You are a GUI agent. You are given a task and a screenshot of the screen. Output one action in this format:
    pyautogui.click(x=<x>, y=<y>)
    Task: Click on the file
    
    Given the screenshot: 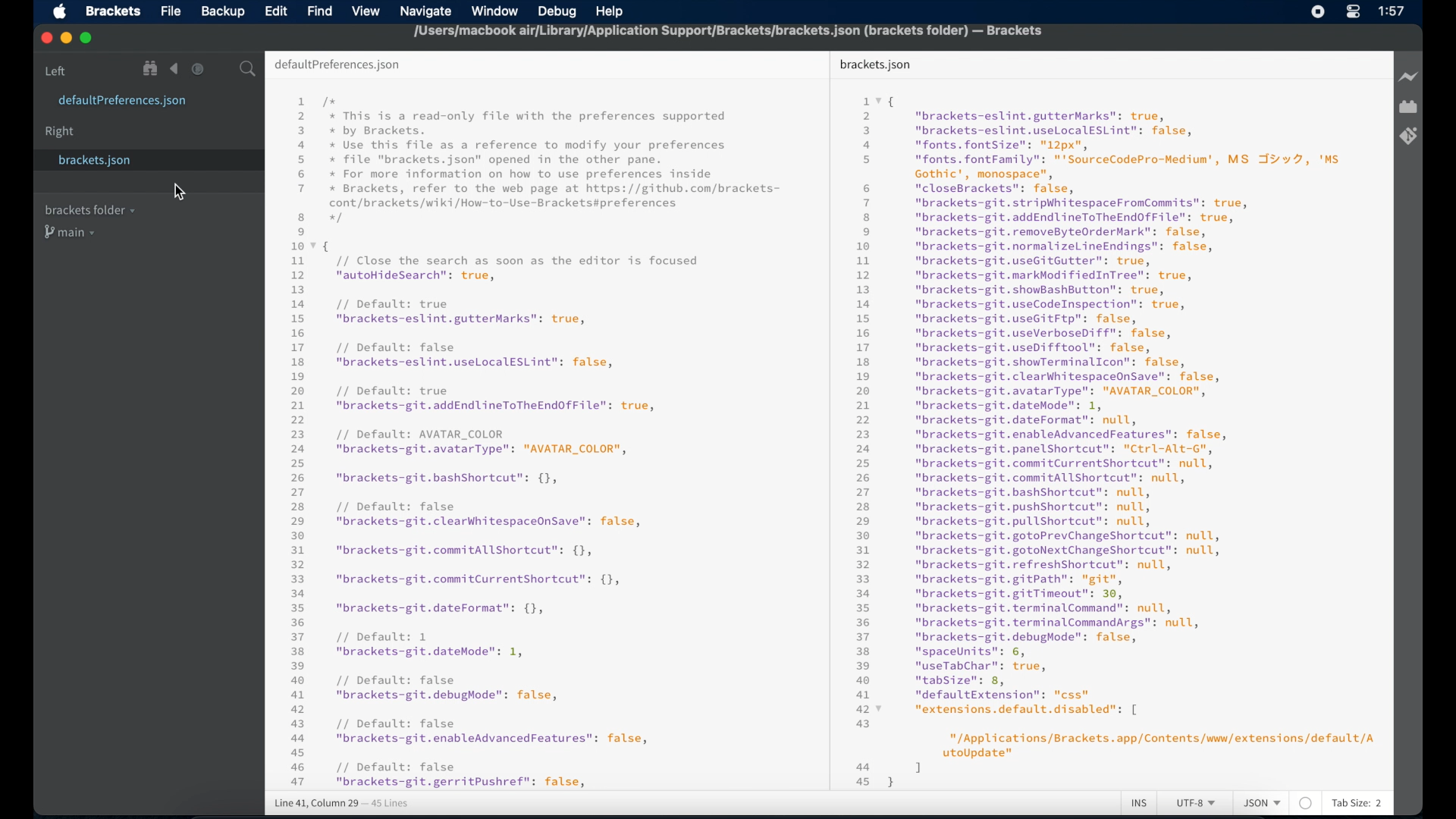 What is the action you would take?
    pyautogui.click(x=174, y=11)
    